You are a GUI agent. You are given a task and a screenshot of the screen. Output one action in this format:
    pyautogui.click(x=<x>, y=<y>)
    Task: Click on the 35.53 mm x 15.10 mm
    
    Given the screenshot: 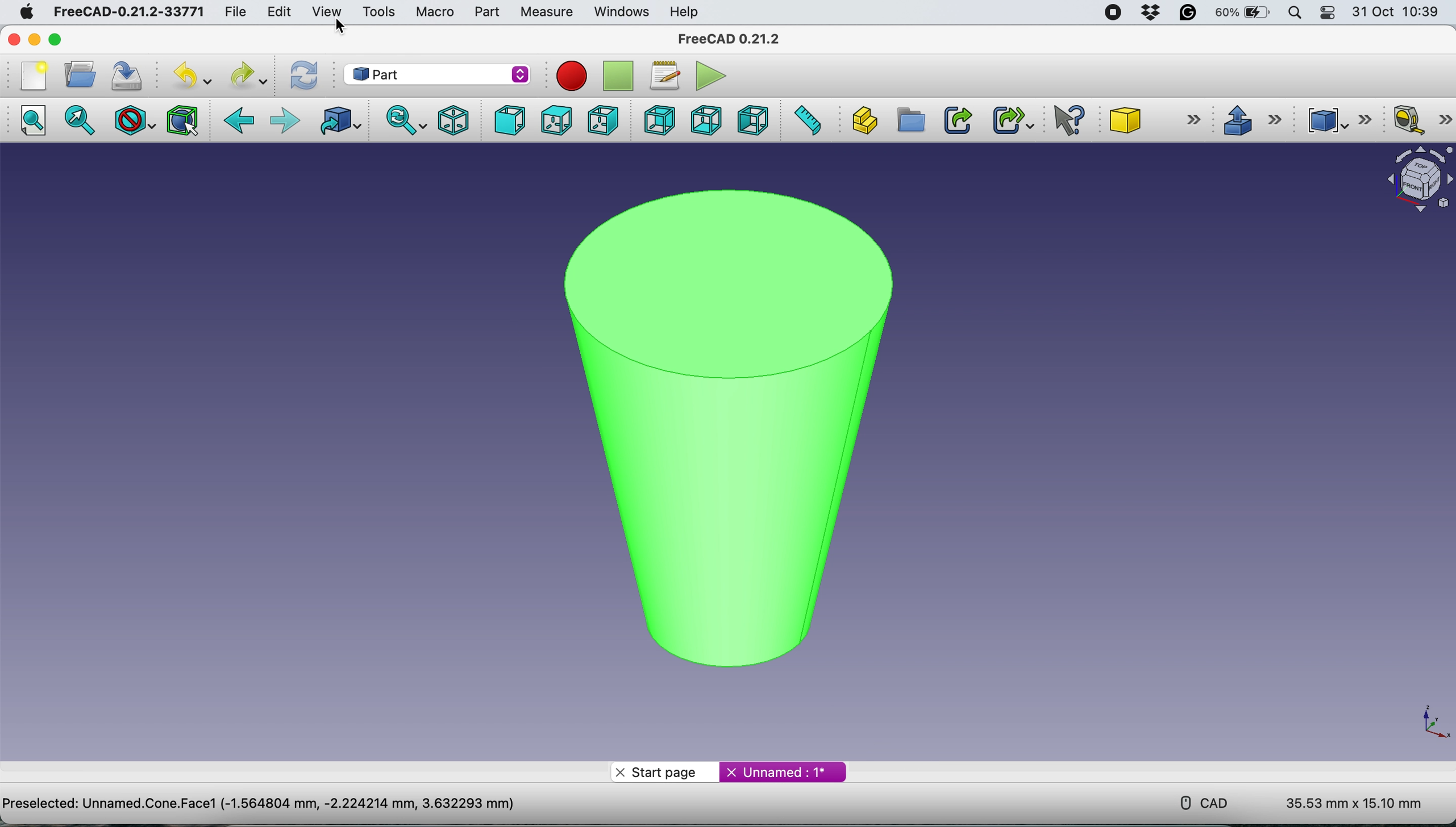 What is the action you would take?
    pyautogui.click(x=1354, y=804)
    